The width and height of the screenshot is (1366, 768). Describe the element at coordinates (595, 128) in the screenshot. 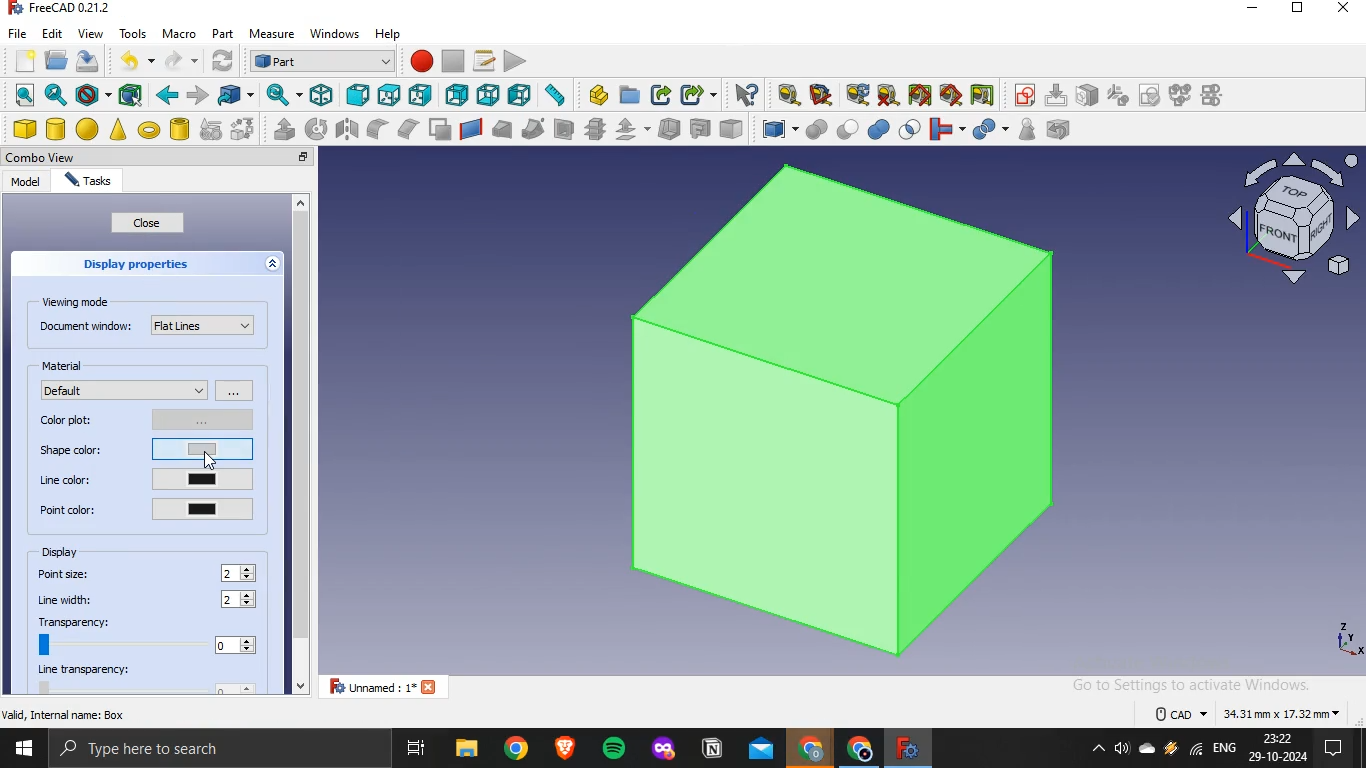

I see `crross section` at that location.